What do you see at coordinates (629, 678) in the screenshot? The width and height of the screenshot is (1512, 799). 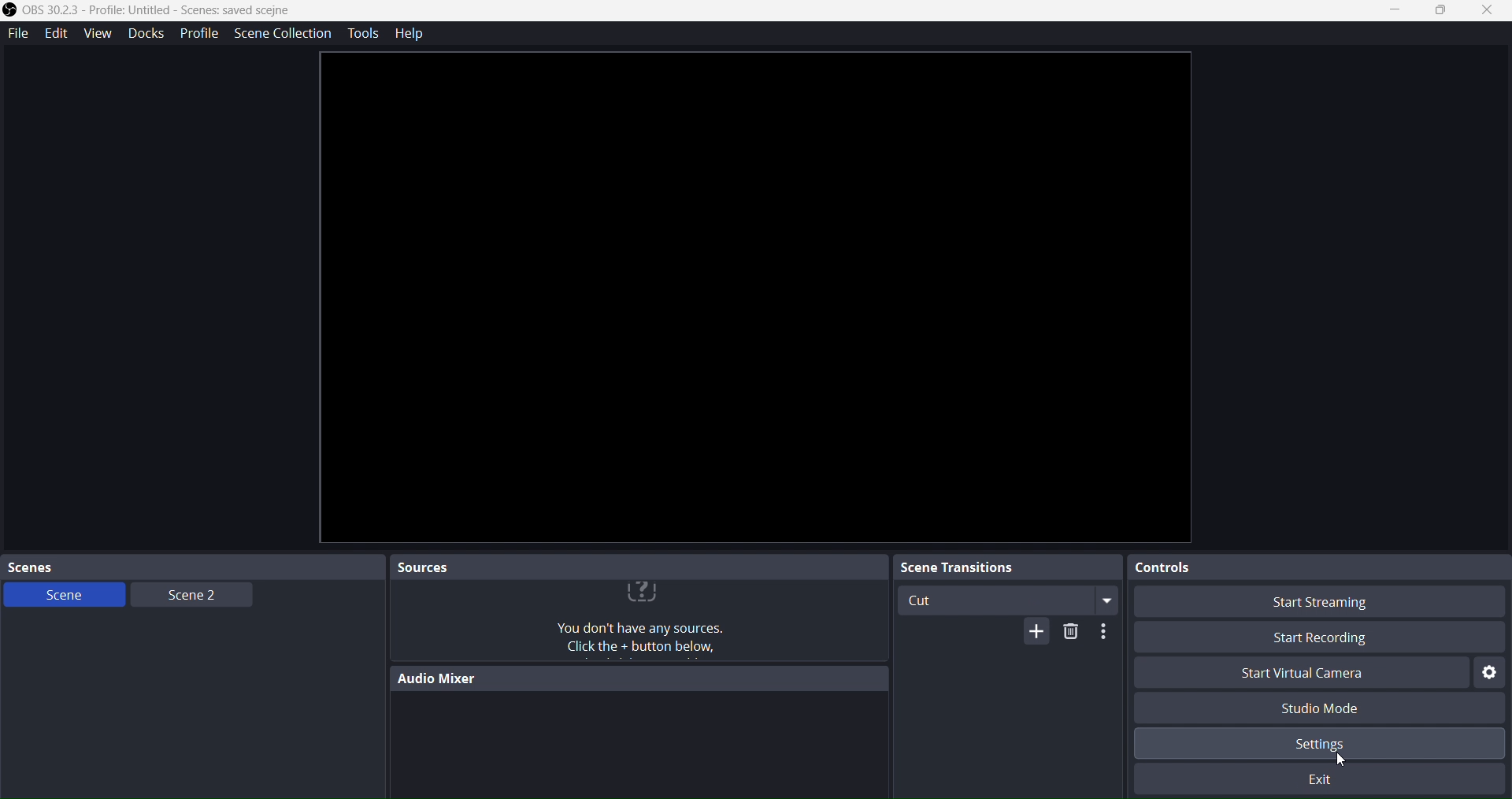 I see `Audio mixer` at bounding box center [629, 678].